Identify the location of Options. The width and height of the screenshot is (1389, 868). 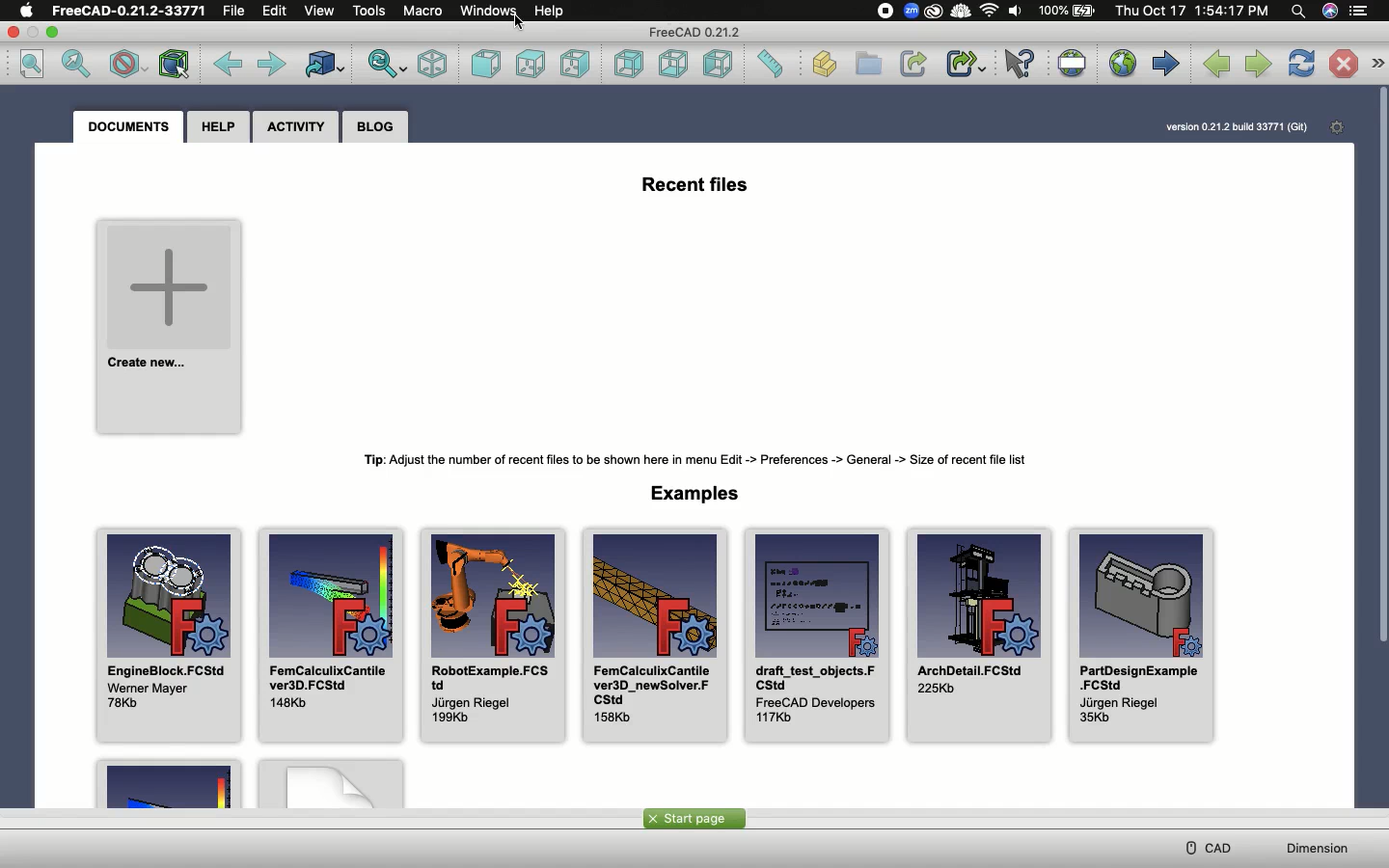
(1362, 12).